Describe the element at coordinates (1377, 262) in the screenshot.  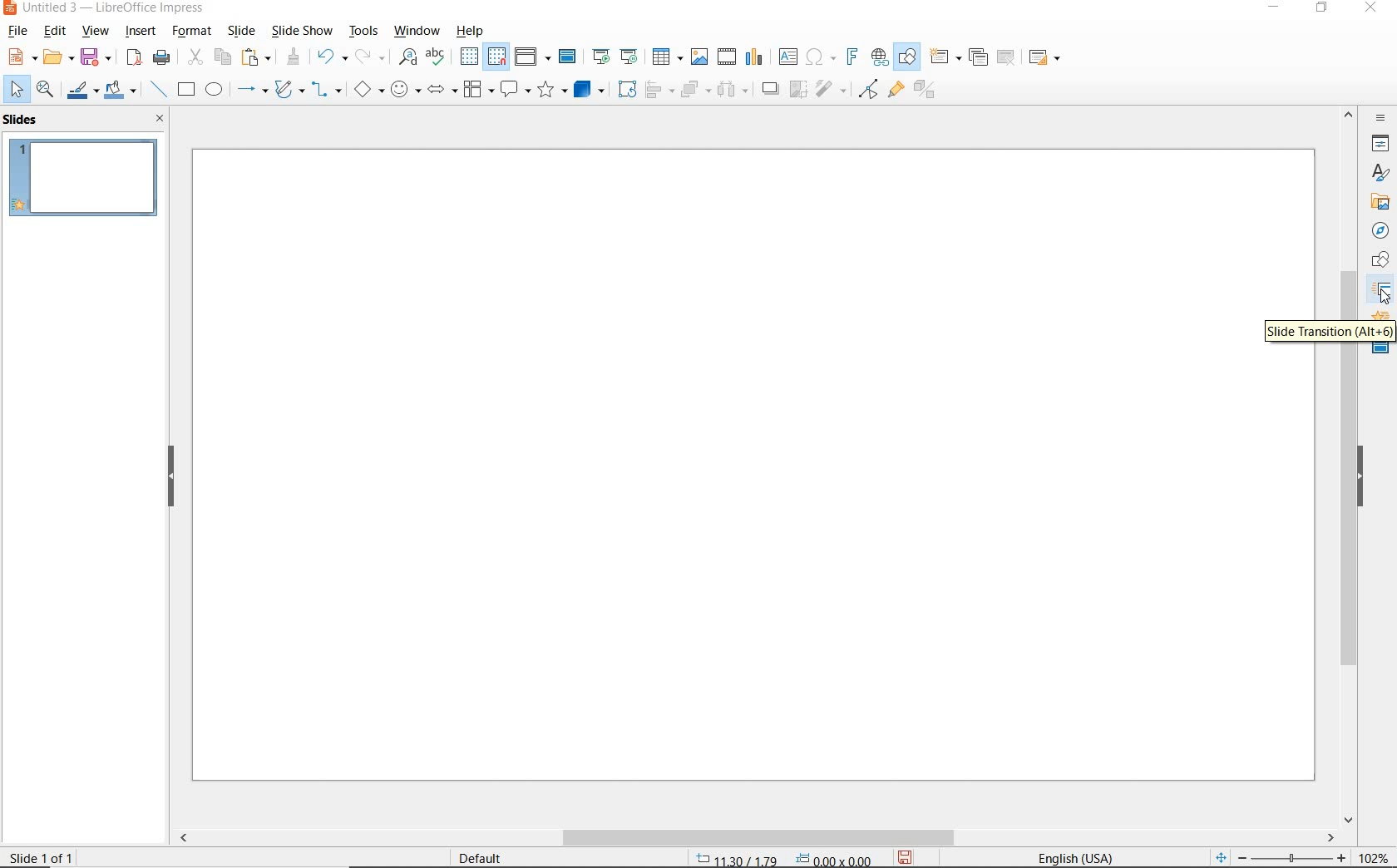
I see `SHAPES` at that location.